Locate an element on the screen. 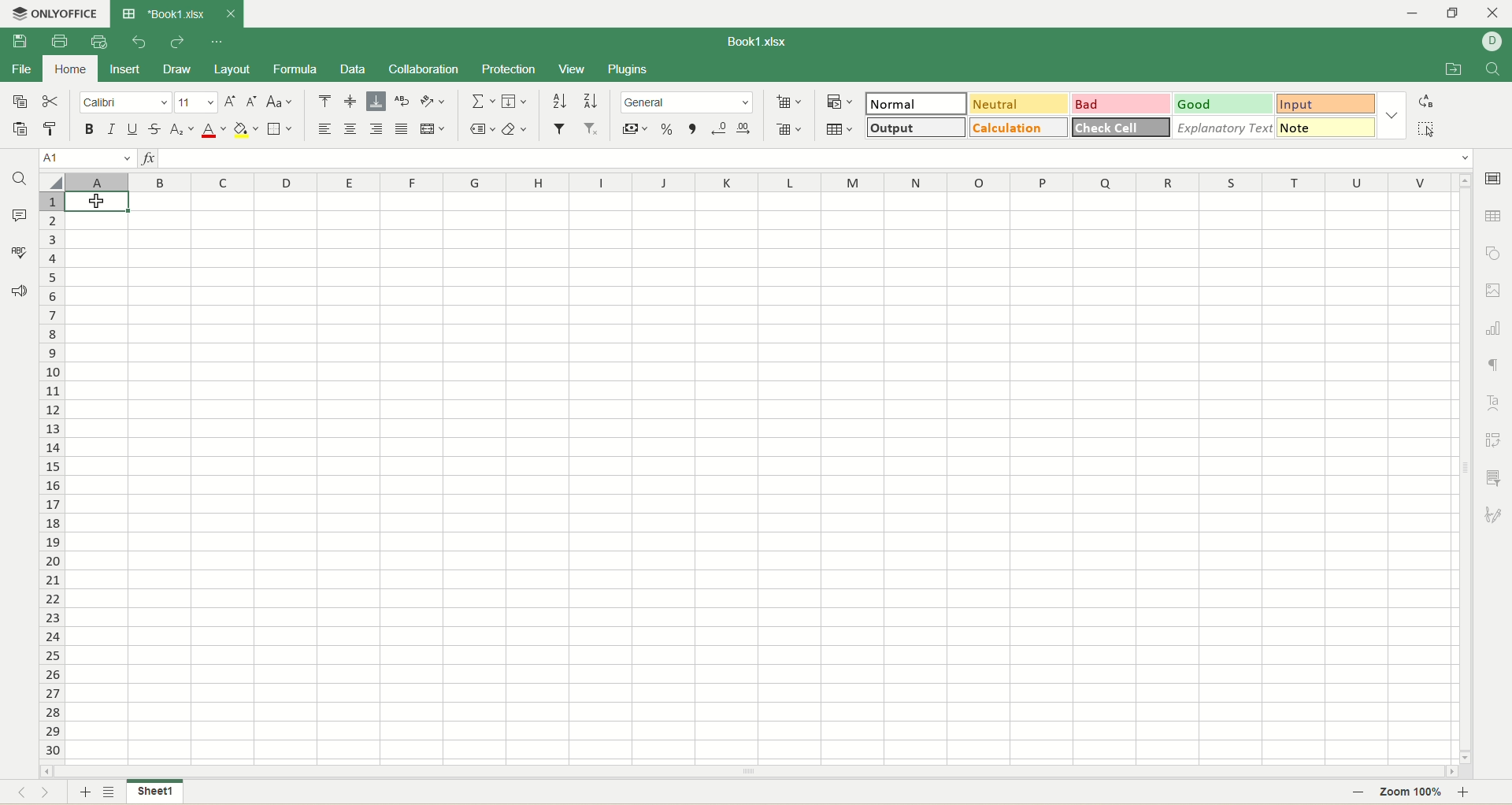  close is located at coordinates (230, 16).